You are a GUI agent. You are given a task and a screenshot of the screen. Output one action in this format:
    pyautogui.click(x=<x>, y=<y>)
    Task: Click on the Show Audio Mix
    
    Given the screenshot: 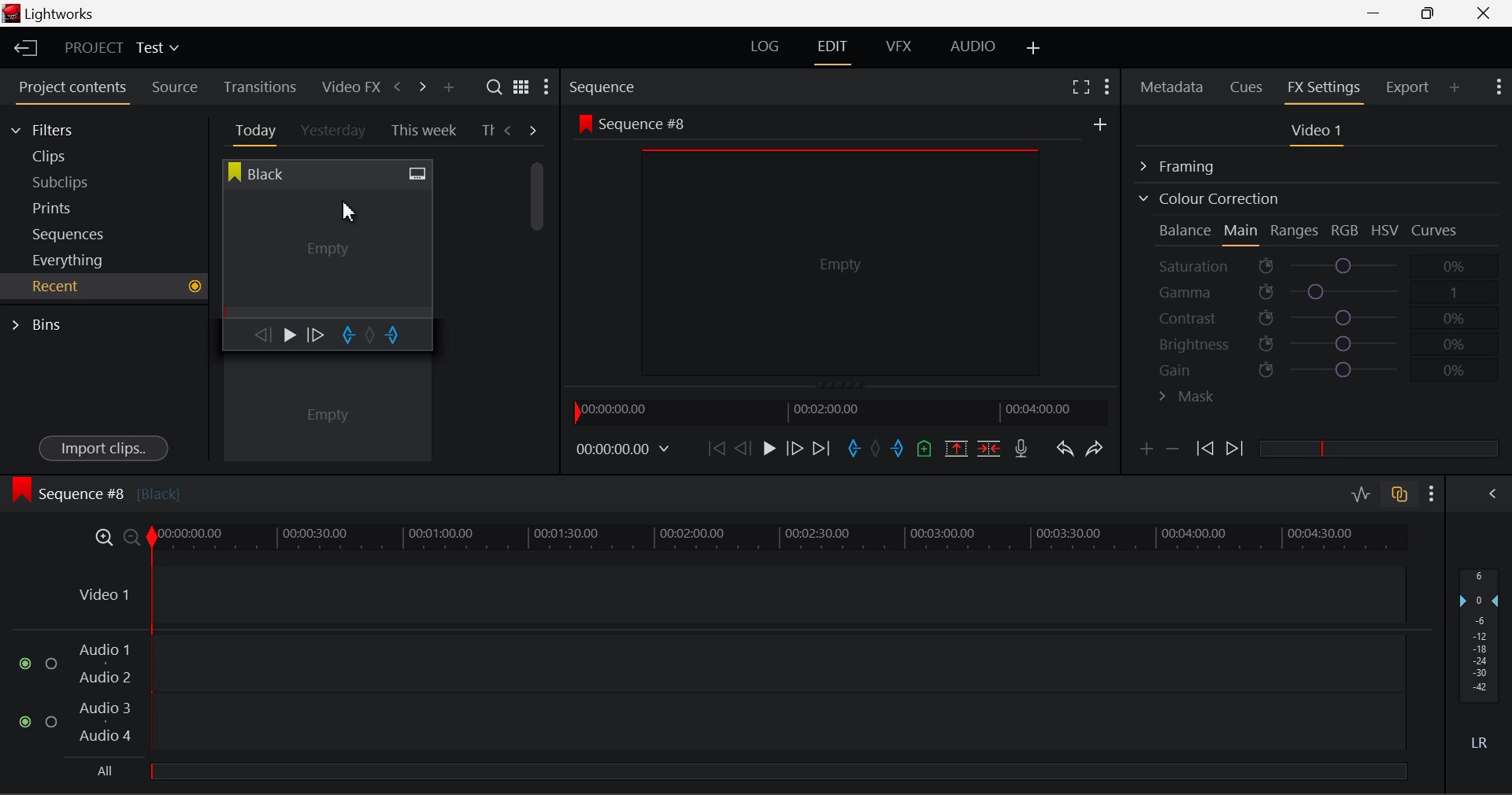 What is the action you would take?
    pyautogui.click(x=1494, y=492)
    